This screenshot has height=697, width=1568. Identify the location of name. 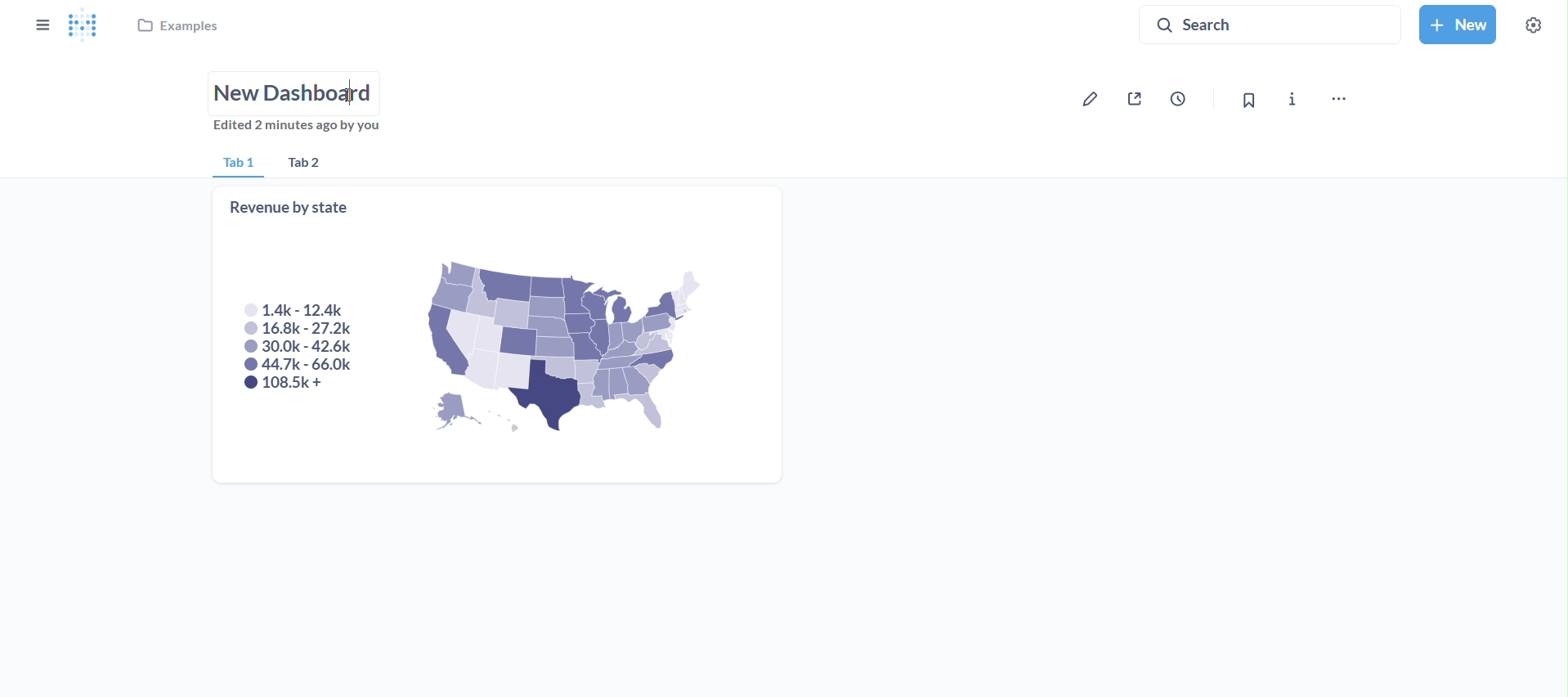
(297, 88).